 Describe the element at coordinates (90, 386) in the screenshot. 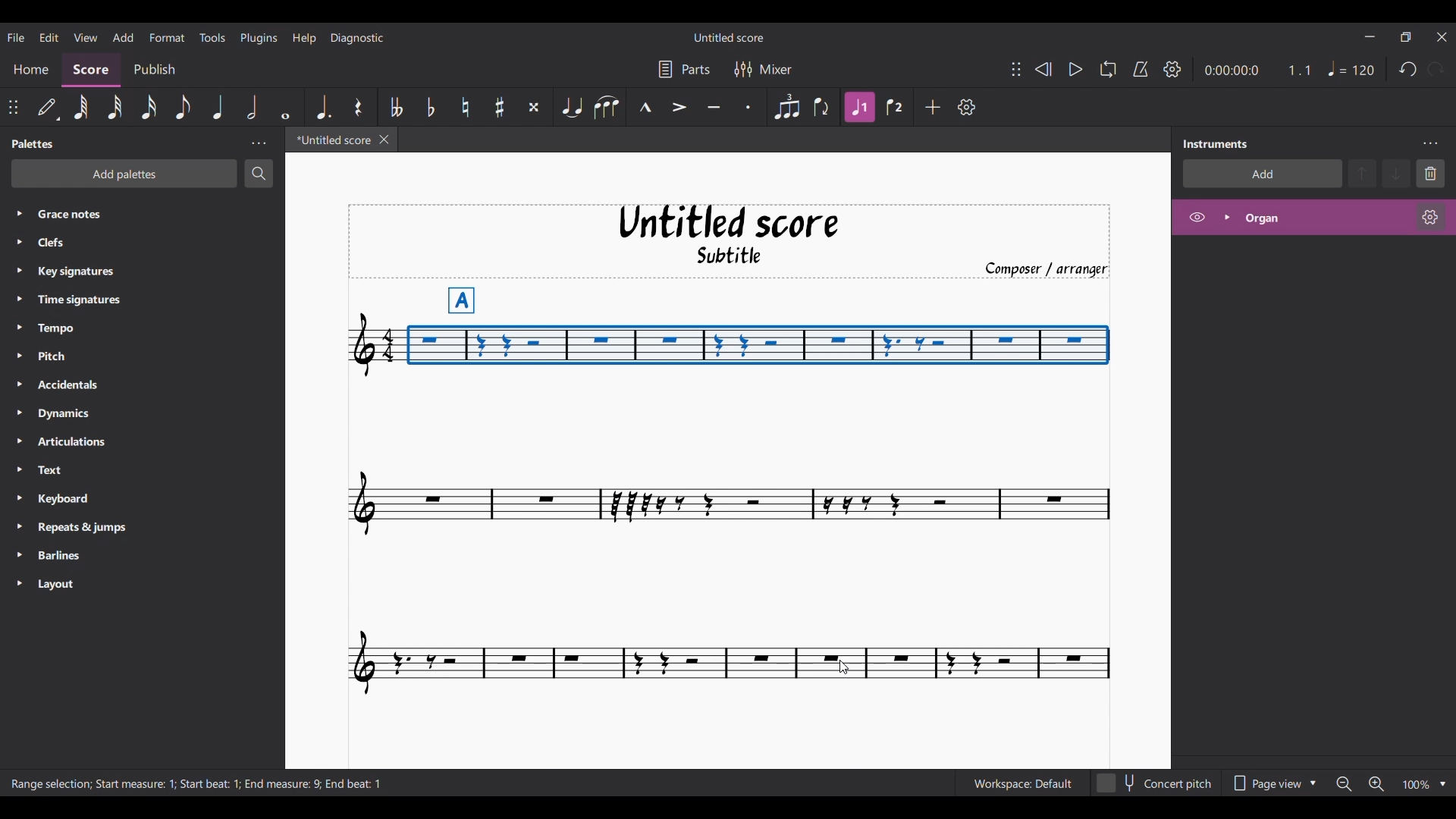

I see `Accidentals` at that location.